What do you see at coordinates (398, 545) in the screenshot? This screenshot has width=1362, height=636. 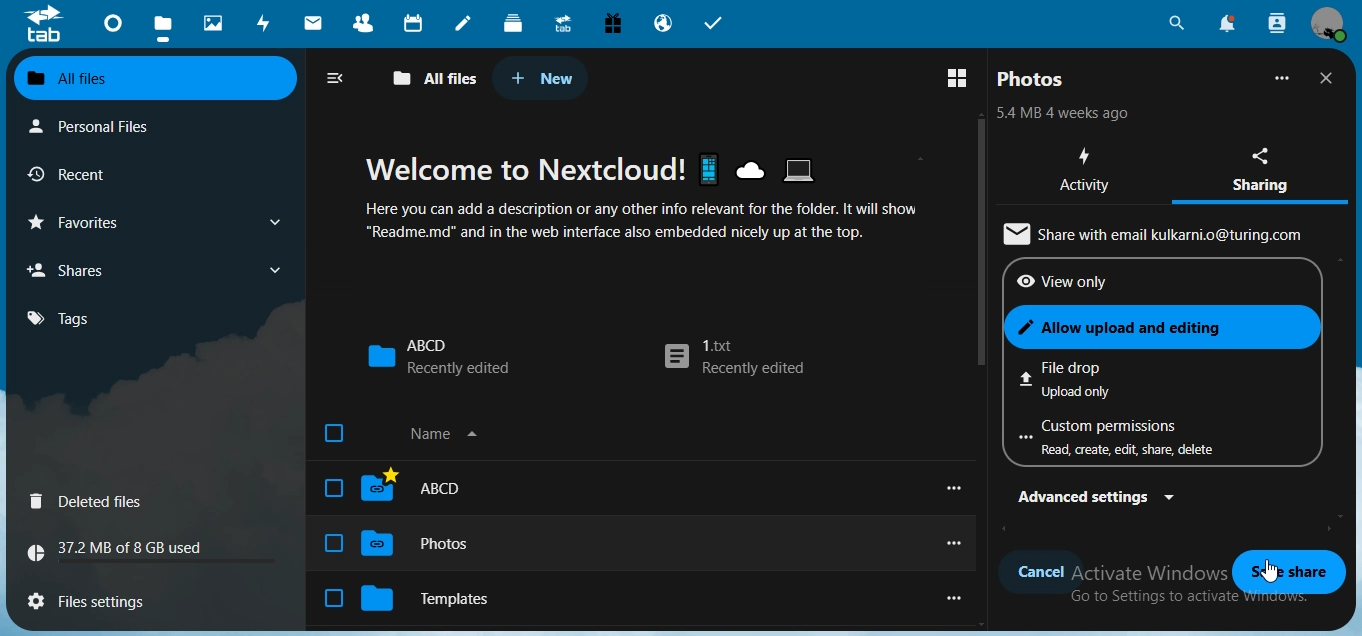 I see `Photos` at bounding box center [398, 545].